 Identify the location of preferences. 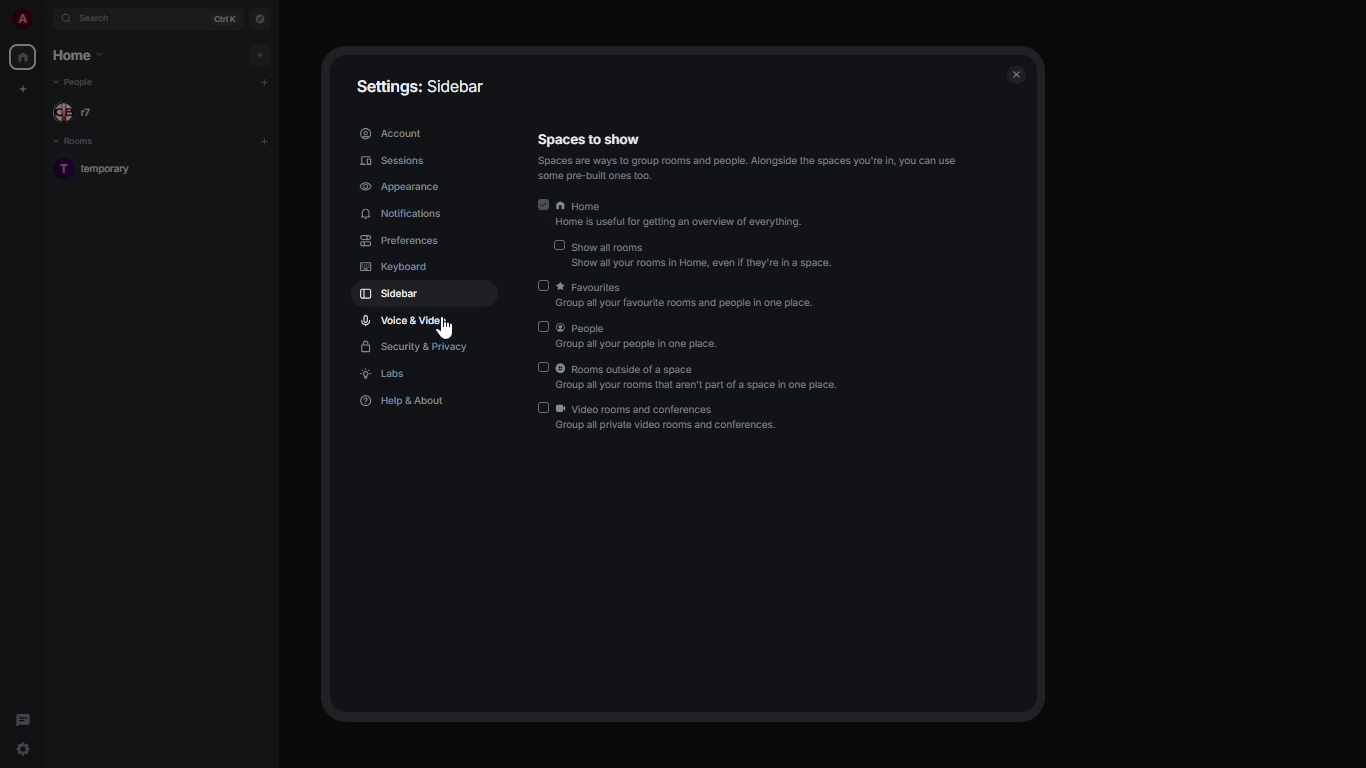
(402, 241).